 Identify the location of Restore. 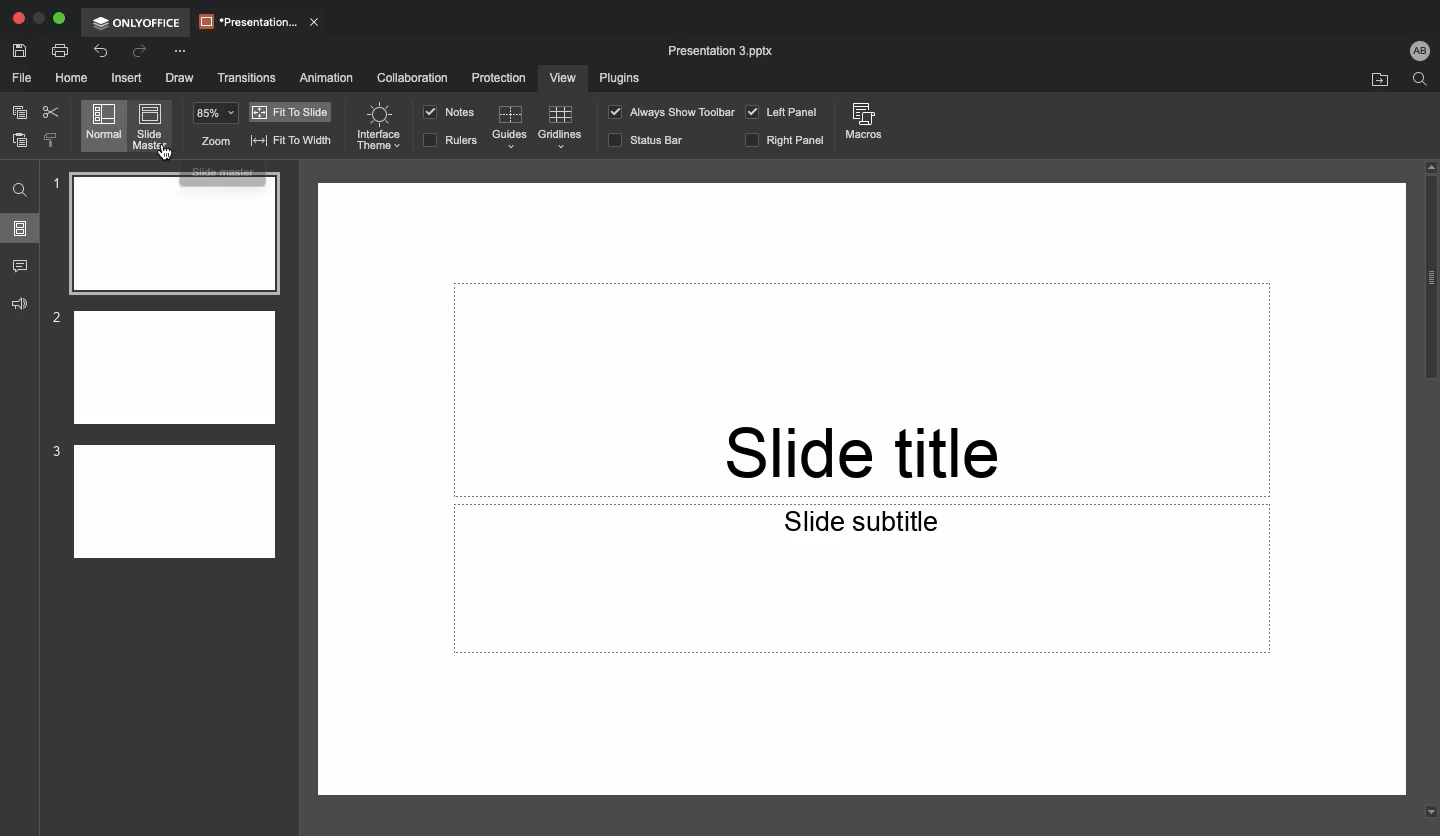
(38, 20).